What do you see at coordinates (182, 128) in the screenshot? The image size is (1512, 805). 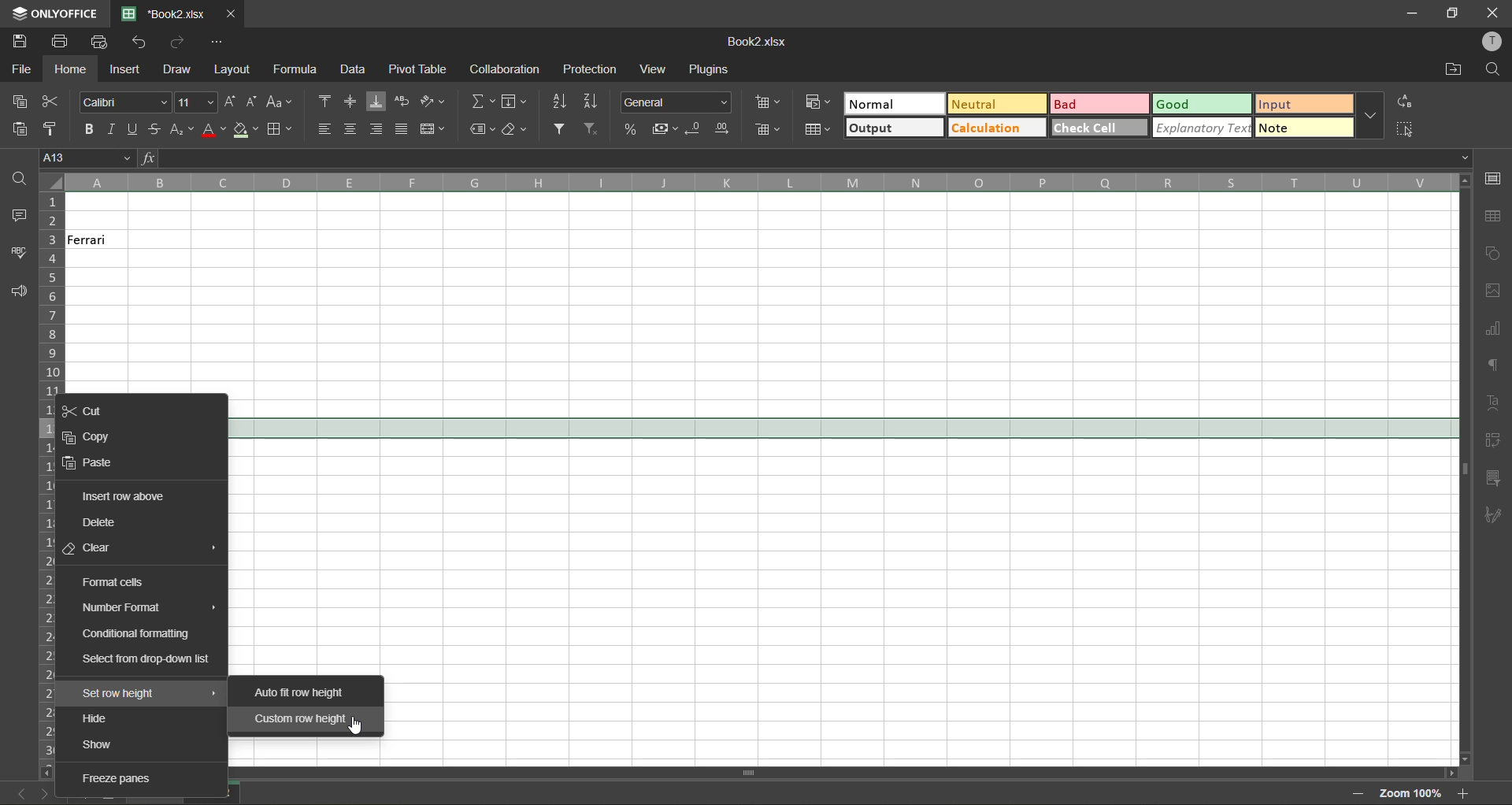 I see `sub/superscript` at bounding box center [182, 128].